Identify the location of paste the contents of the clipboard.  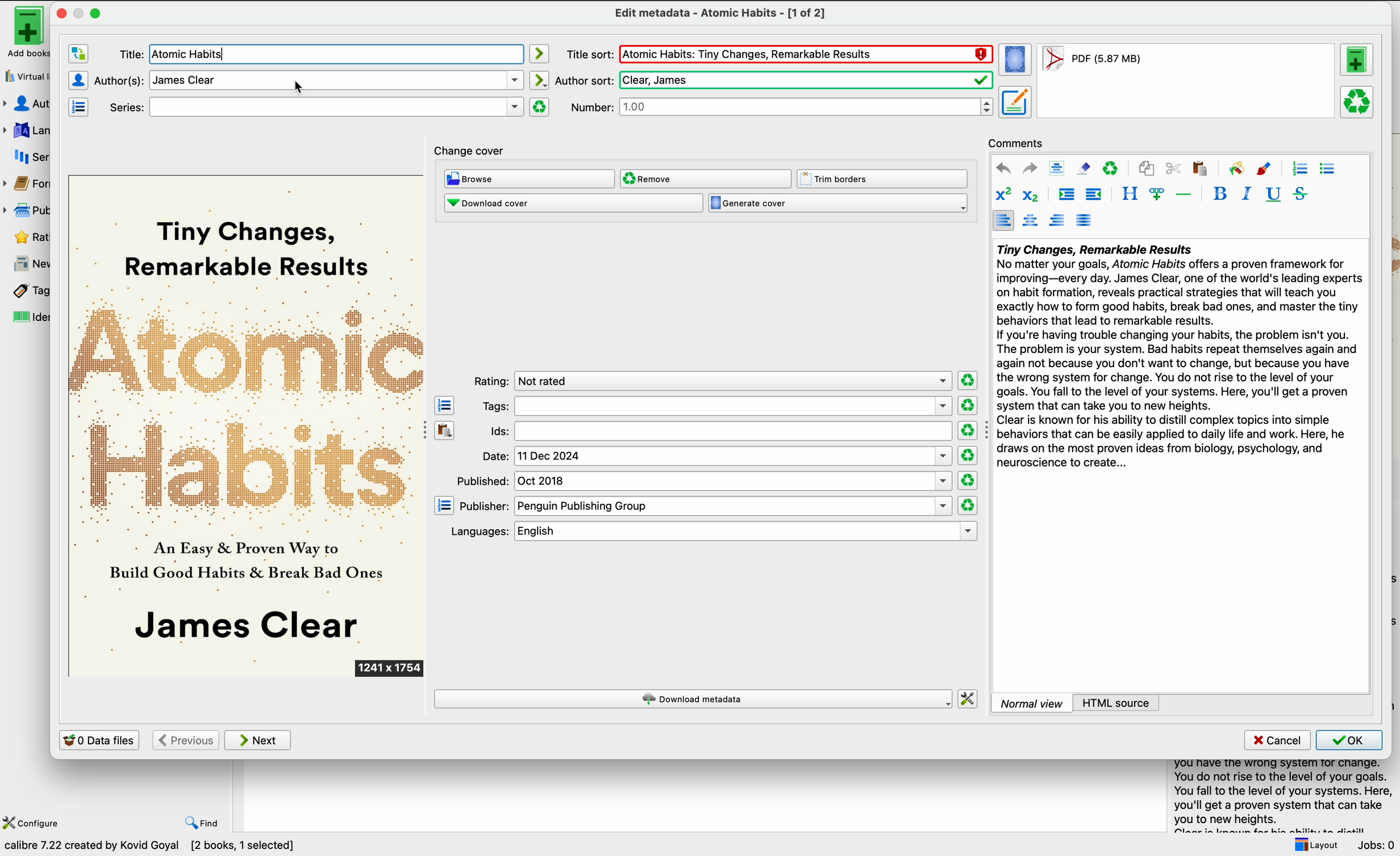
(445, 429).